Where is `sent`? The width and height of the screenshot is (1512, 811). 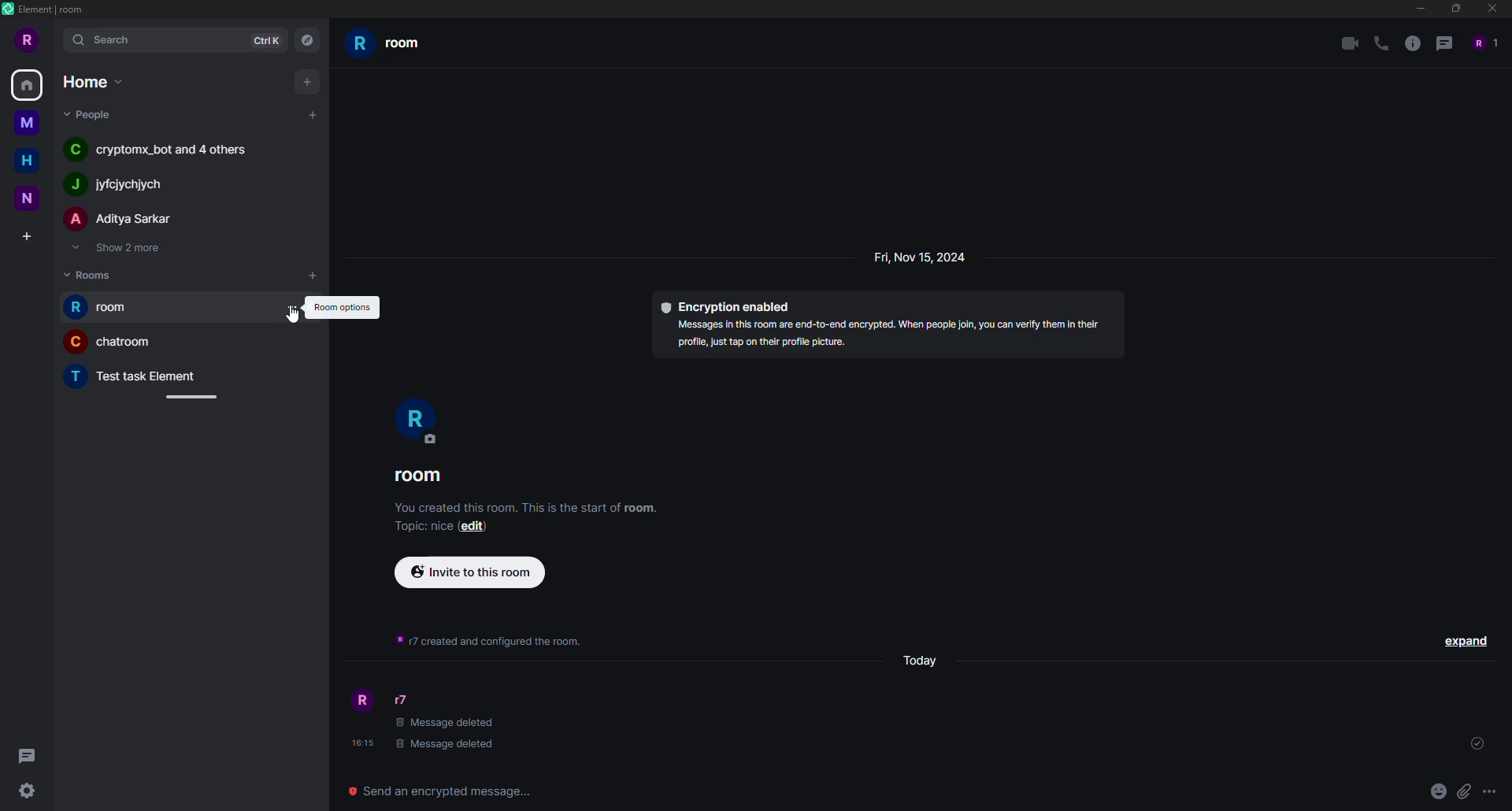 sent is located at coordinates (1477, 744).